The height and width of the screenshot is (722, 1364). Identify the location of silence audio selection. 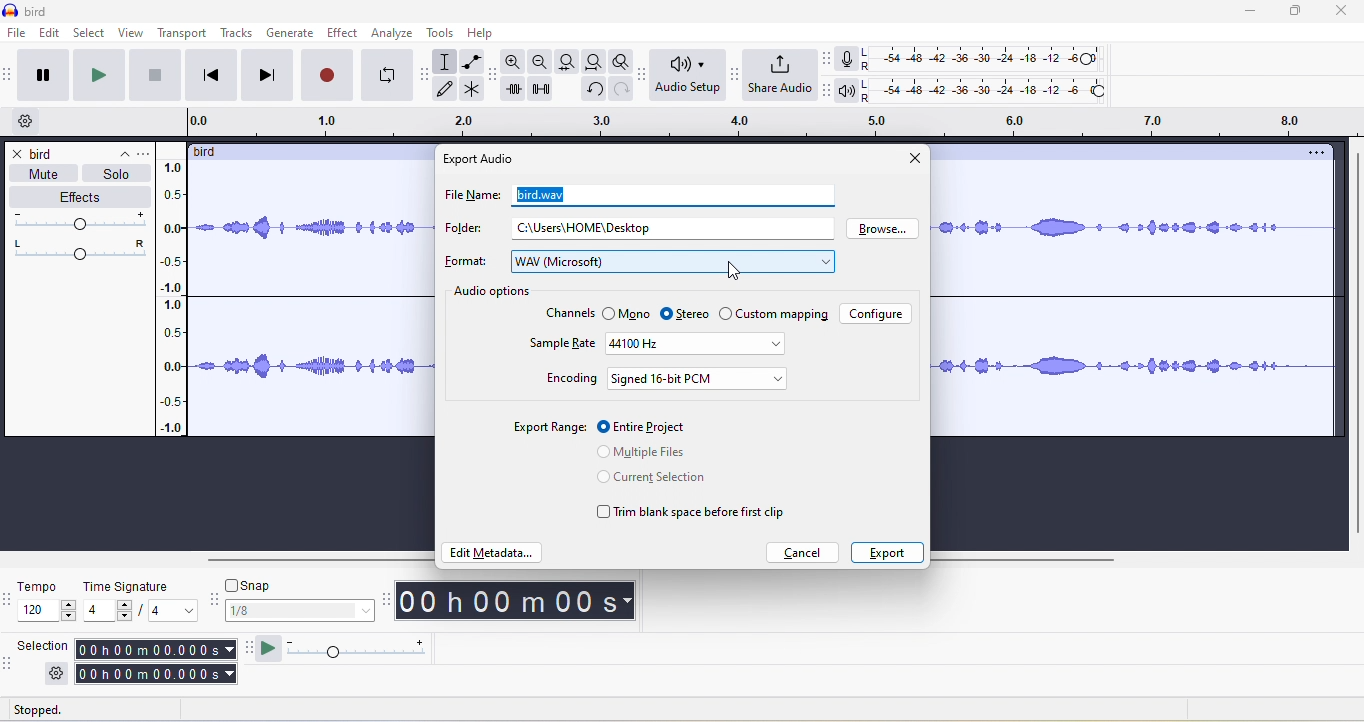
(547, 93).